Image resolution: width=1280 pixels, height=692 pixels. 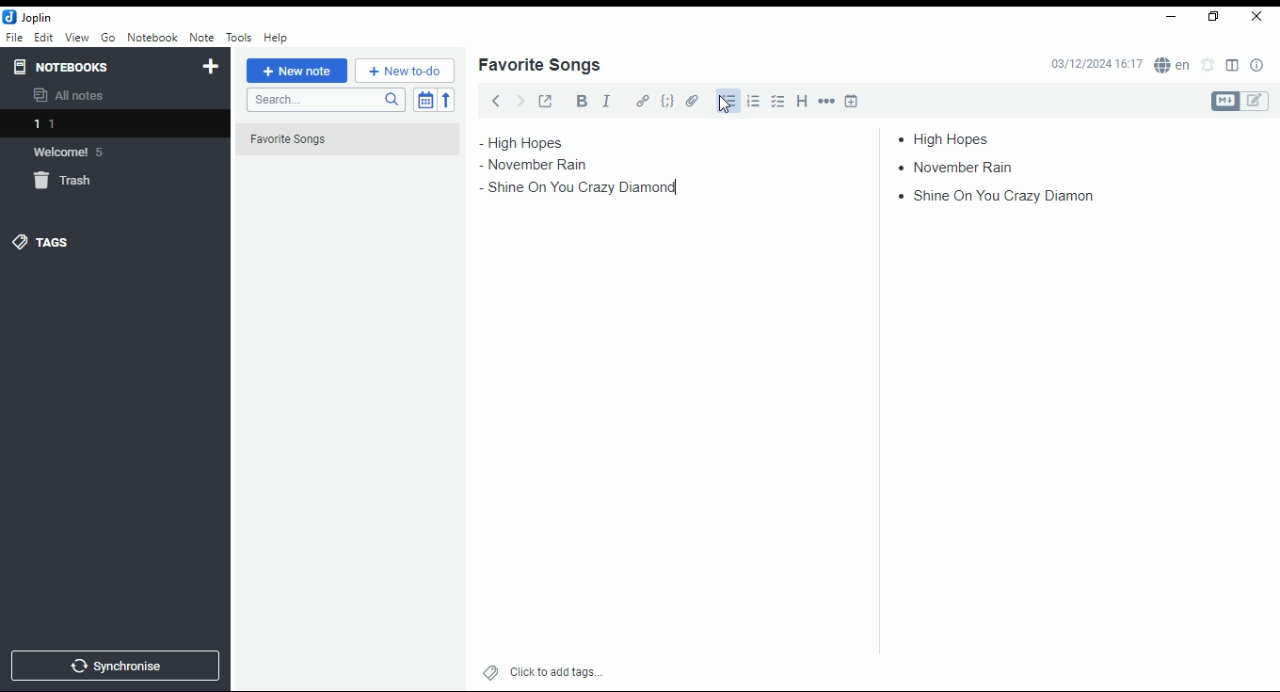 I want to click on reverse sort order, so click(x=446, y=100).